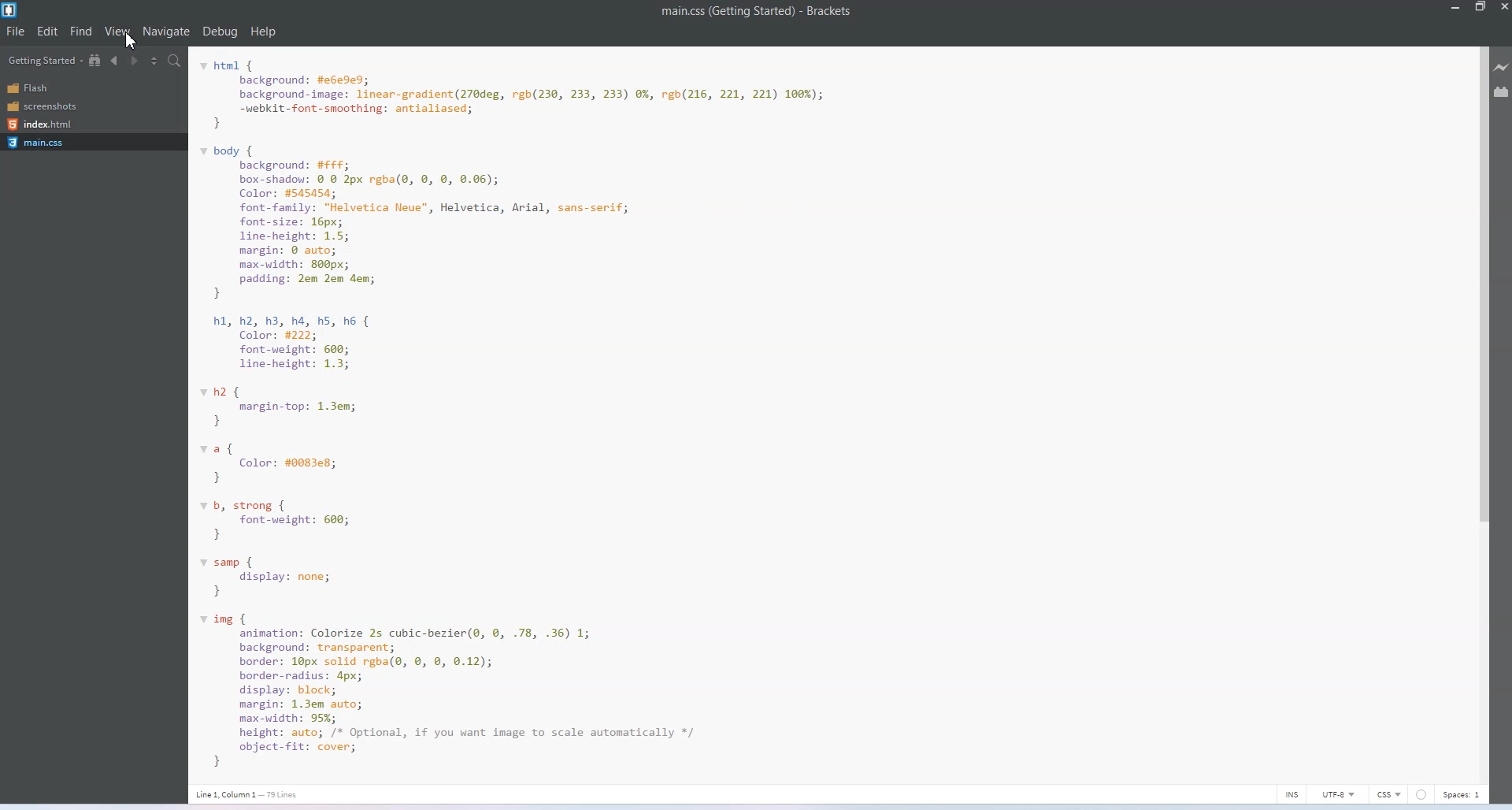 This screenshot has width=1512, height=810. Describe the element at coordinates (1502, 91) in the screenshot. I see `Extension manager` at that location.